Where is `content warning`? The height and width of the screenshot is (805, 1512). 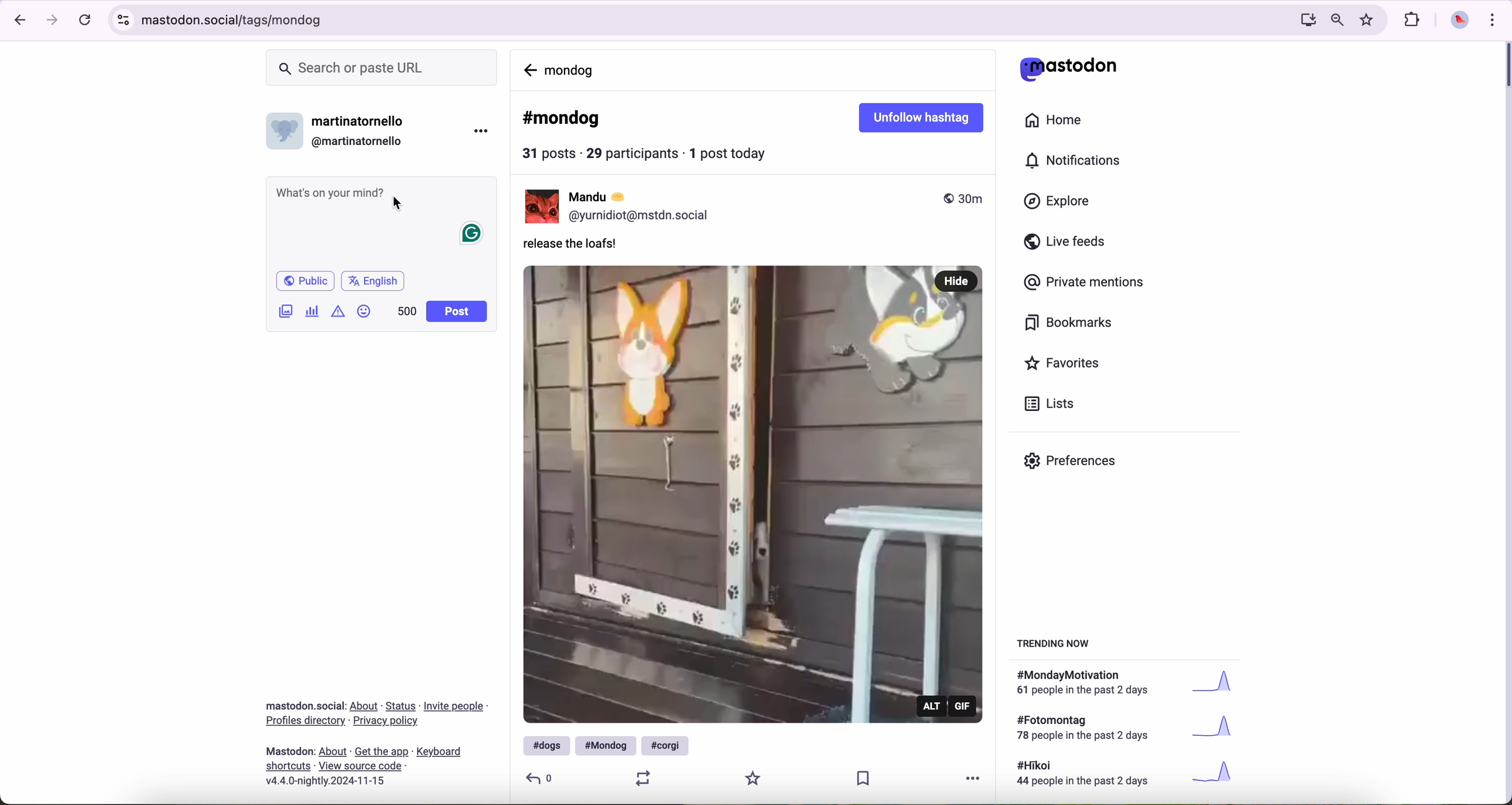
content warning is located at coordinates (336, 314).